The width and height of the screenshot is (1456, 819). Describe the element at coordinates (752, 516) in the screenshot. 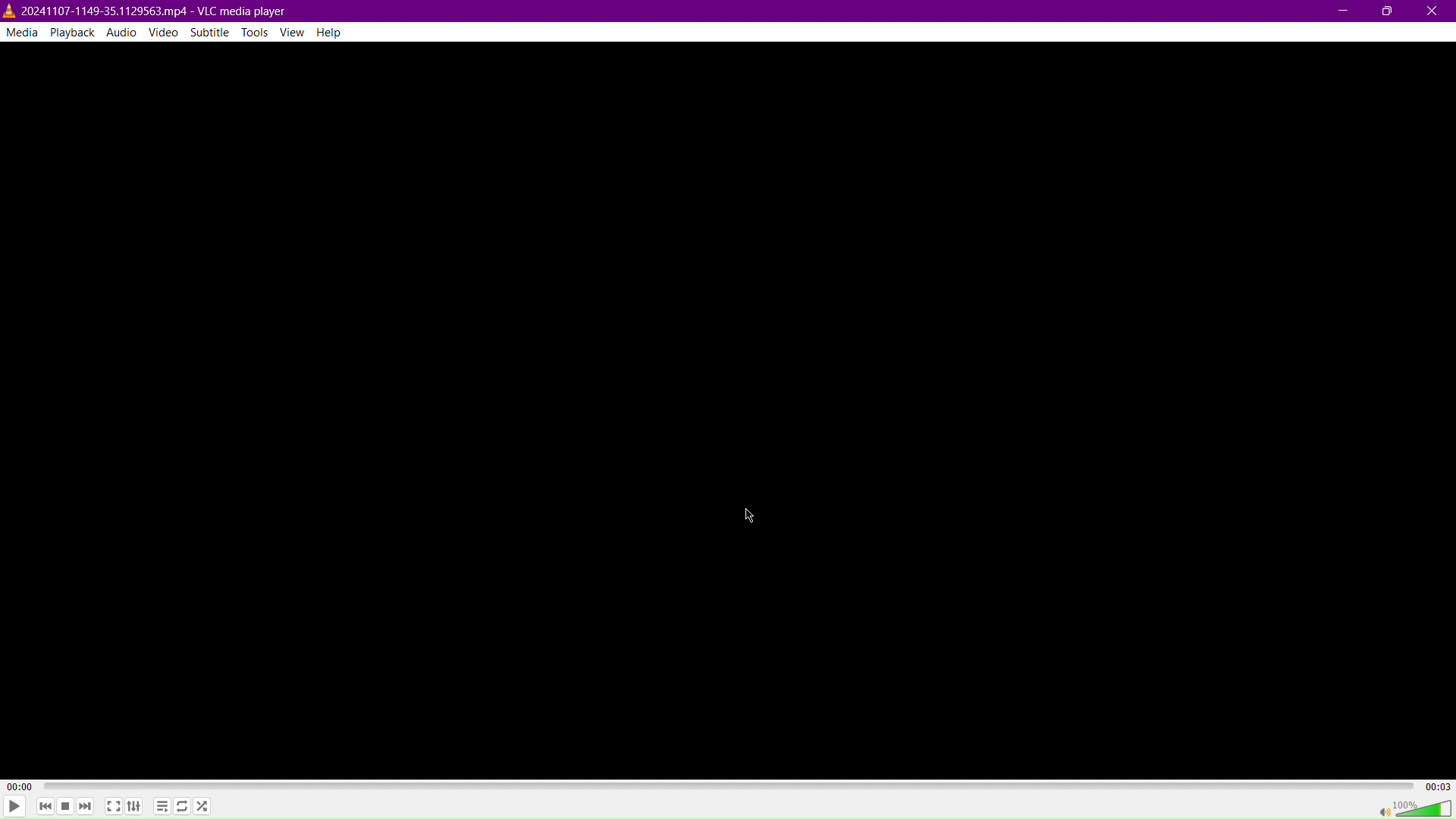

I see `Cursor Position AFTER_LAST_ACTION` at that location.